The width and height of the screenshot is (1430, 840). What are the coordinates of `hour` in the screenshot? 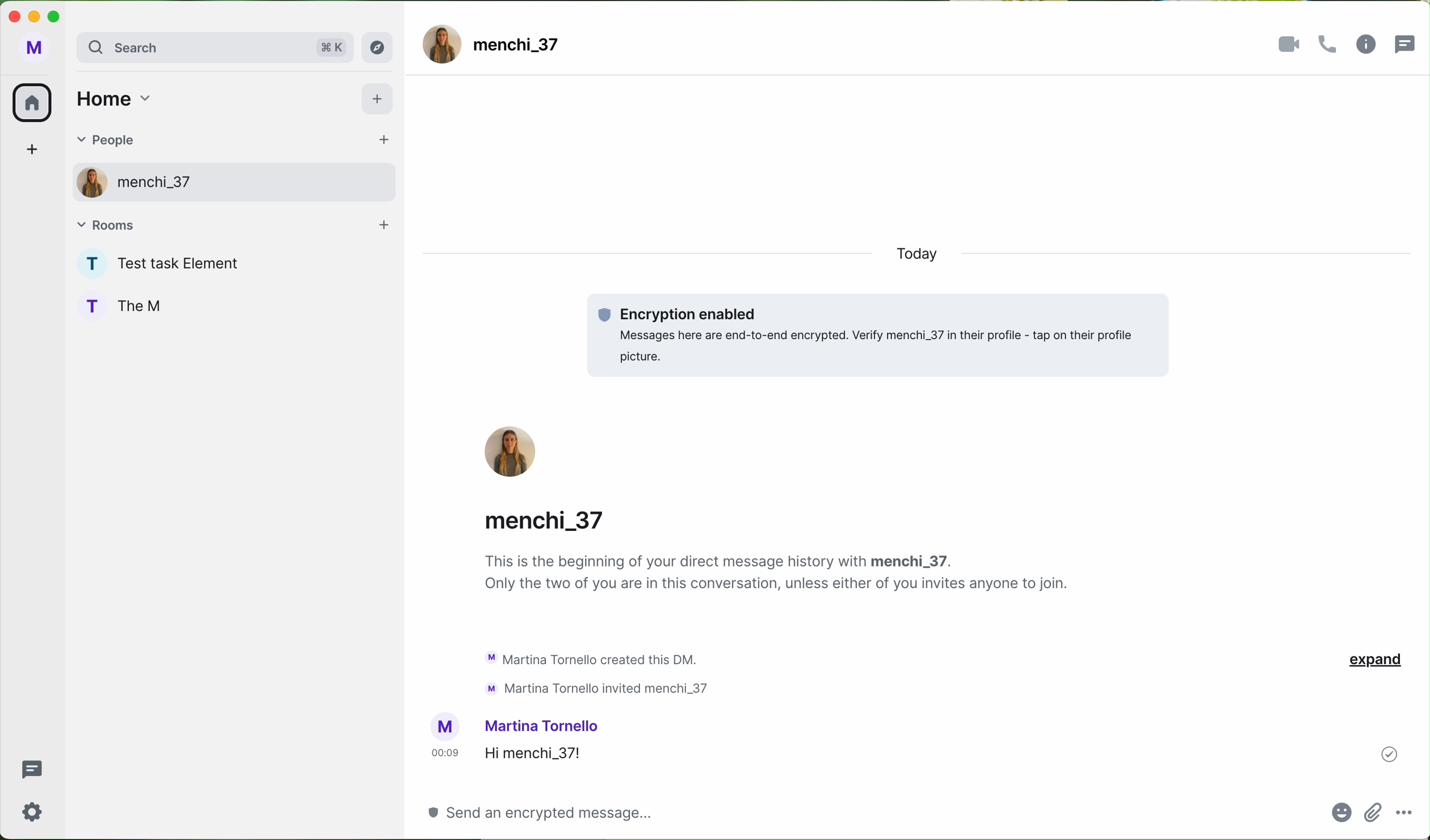 It's located at (445, 753).